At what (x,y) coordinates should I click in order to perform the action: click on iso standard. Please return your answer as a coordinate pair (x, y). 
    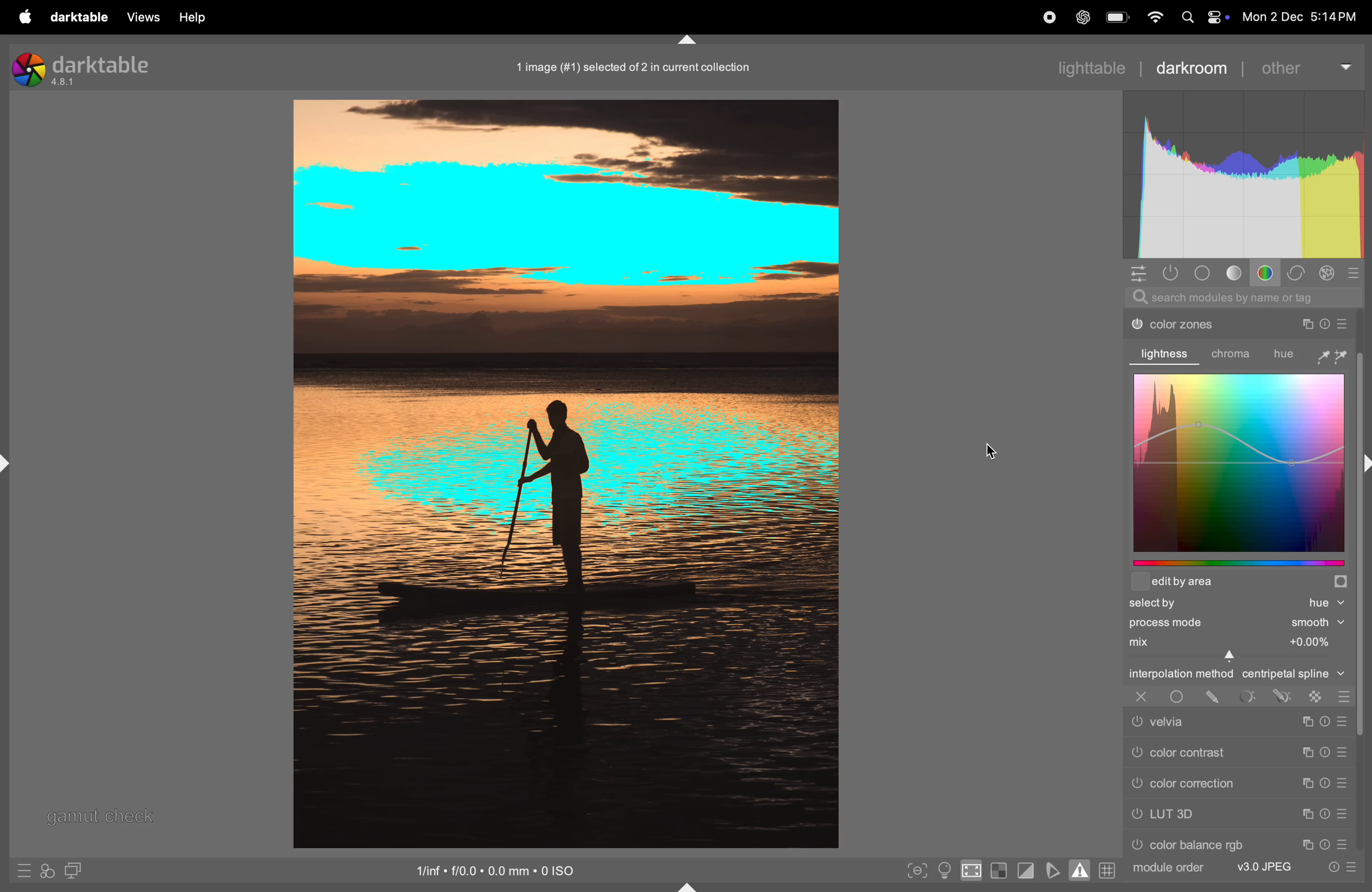
    Looking at the image, I should click on (499, 873).